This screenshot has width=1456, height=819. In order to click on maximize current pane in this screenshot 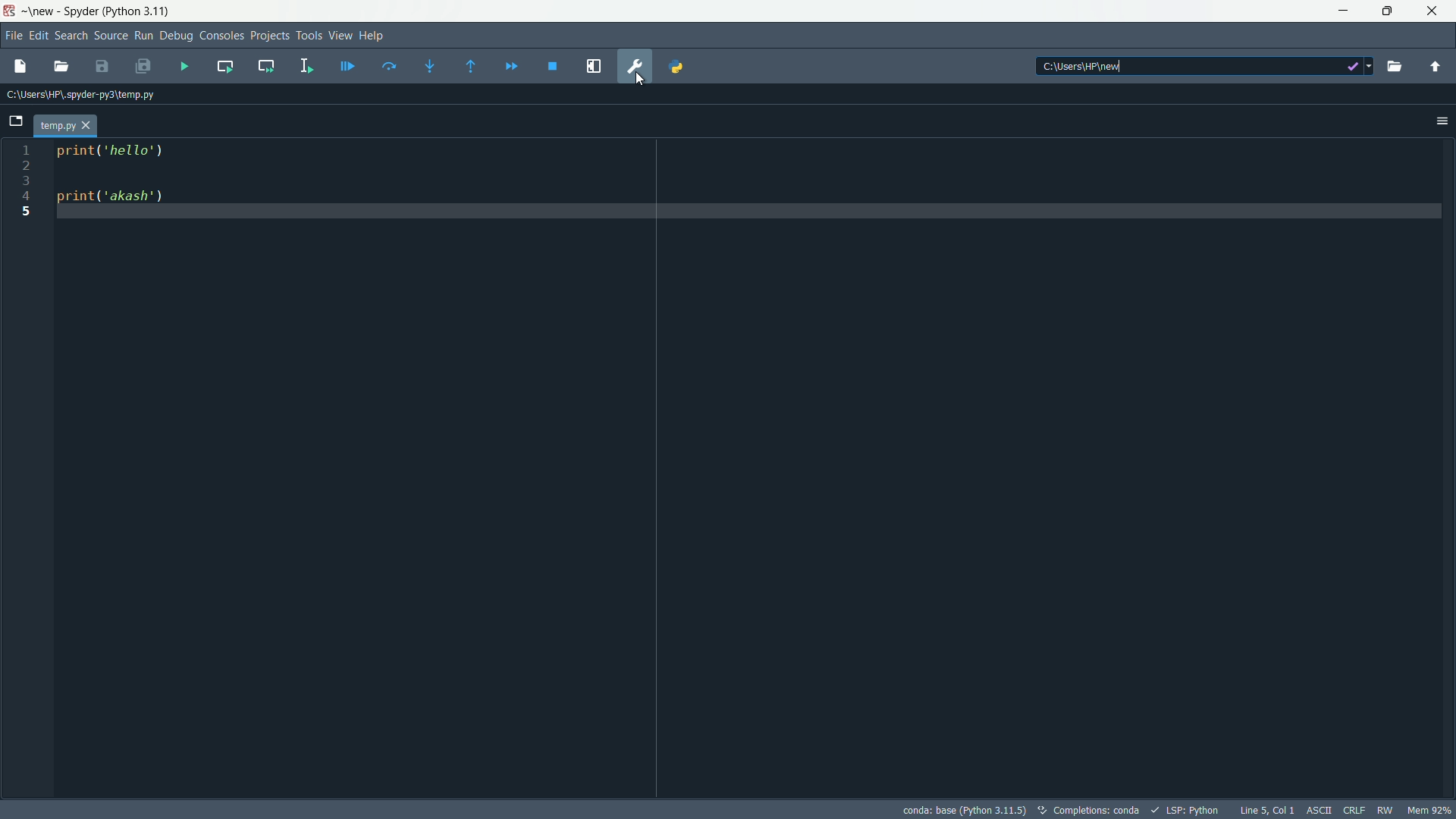, I will do `click(593, 66)`.